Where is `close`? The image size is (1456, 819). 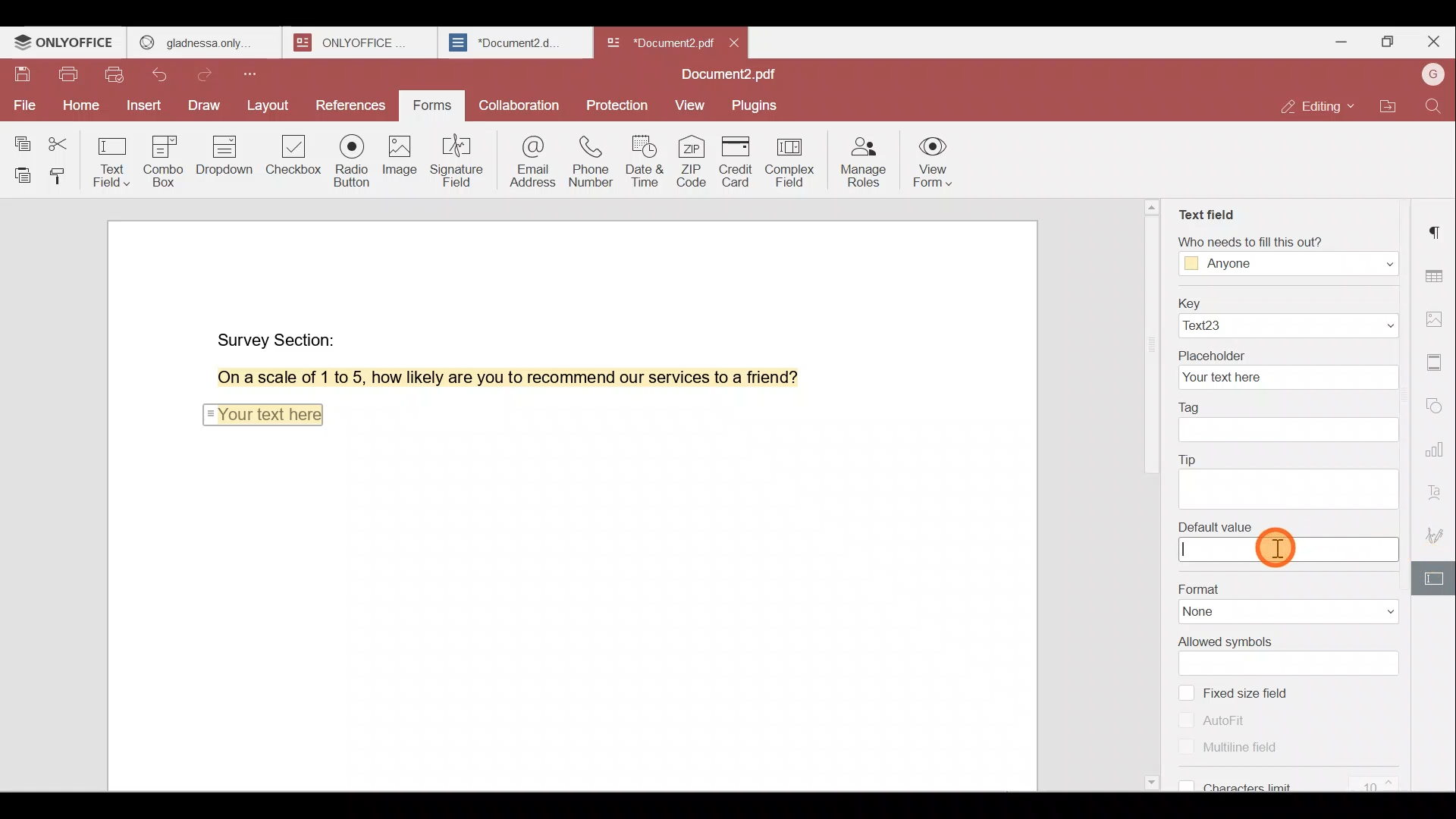
close is located at coordinates (734, 42).